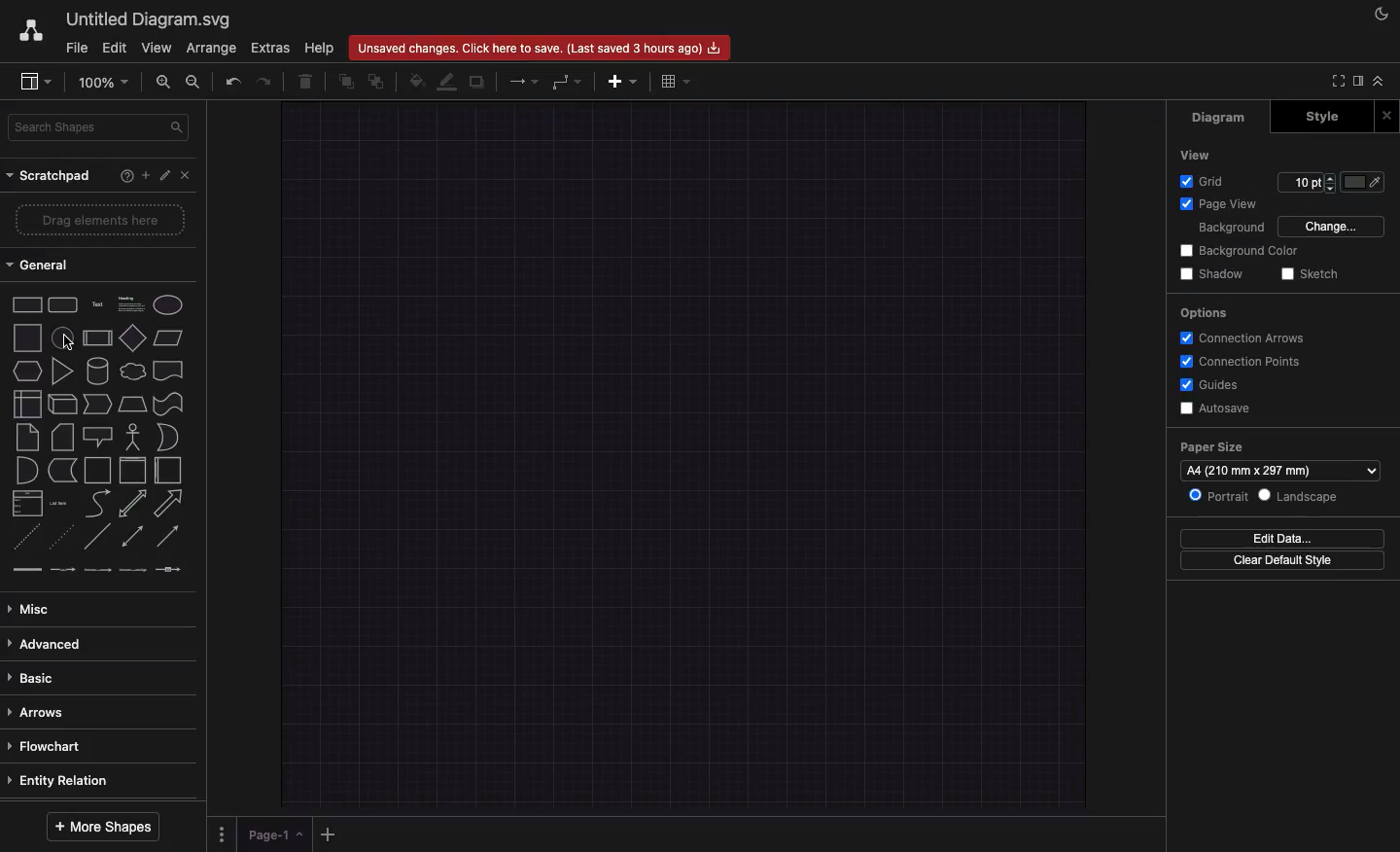  I want to click on Unsaved changes. Click here to save. (Last saved 3 hours ago), so click(541, 47).